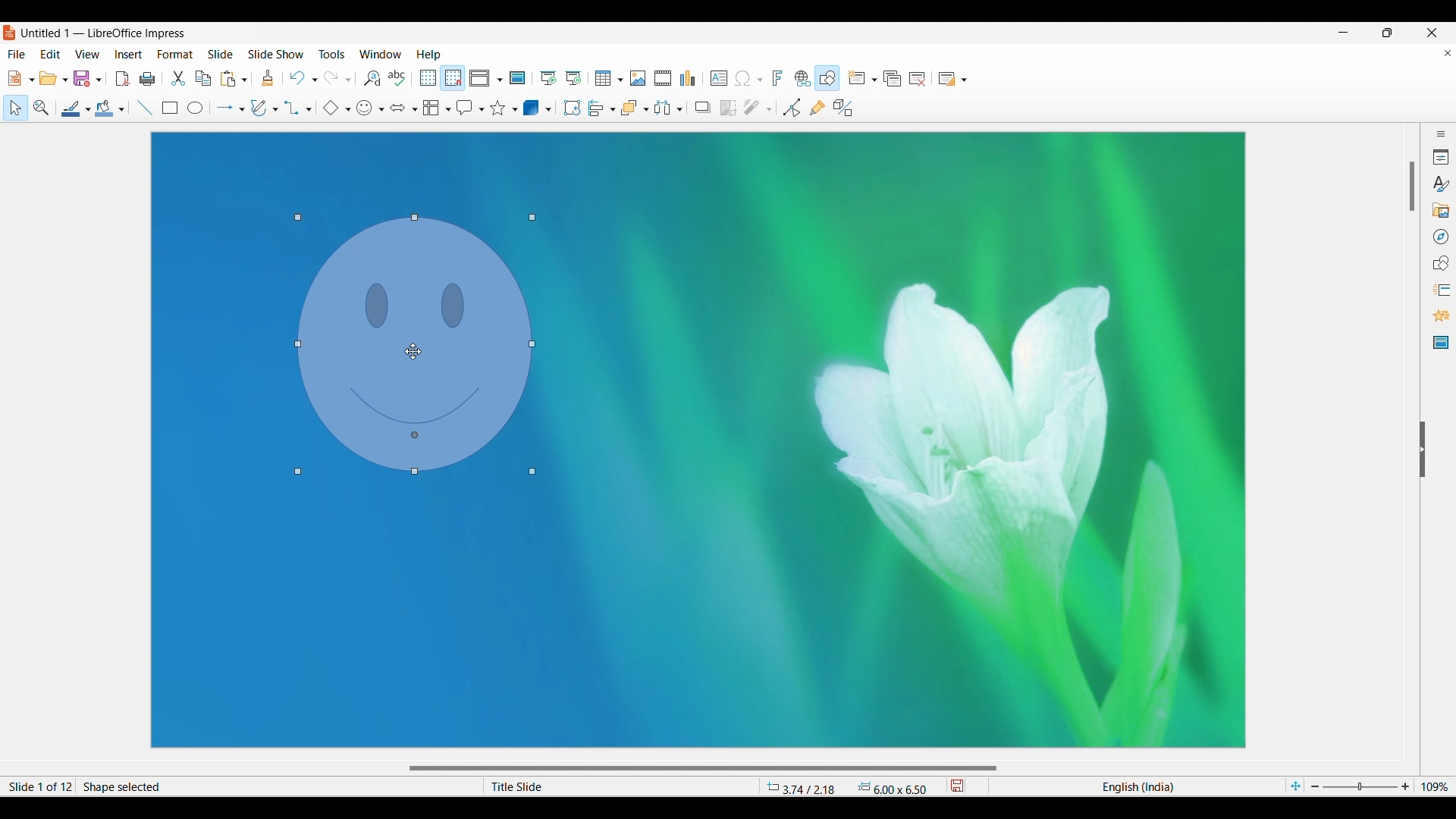 The height and width of the screenshot is (819, 1456). Describe the element at coordinates (719, 79) in the screenshot. I see `Insert textbox` at that location.